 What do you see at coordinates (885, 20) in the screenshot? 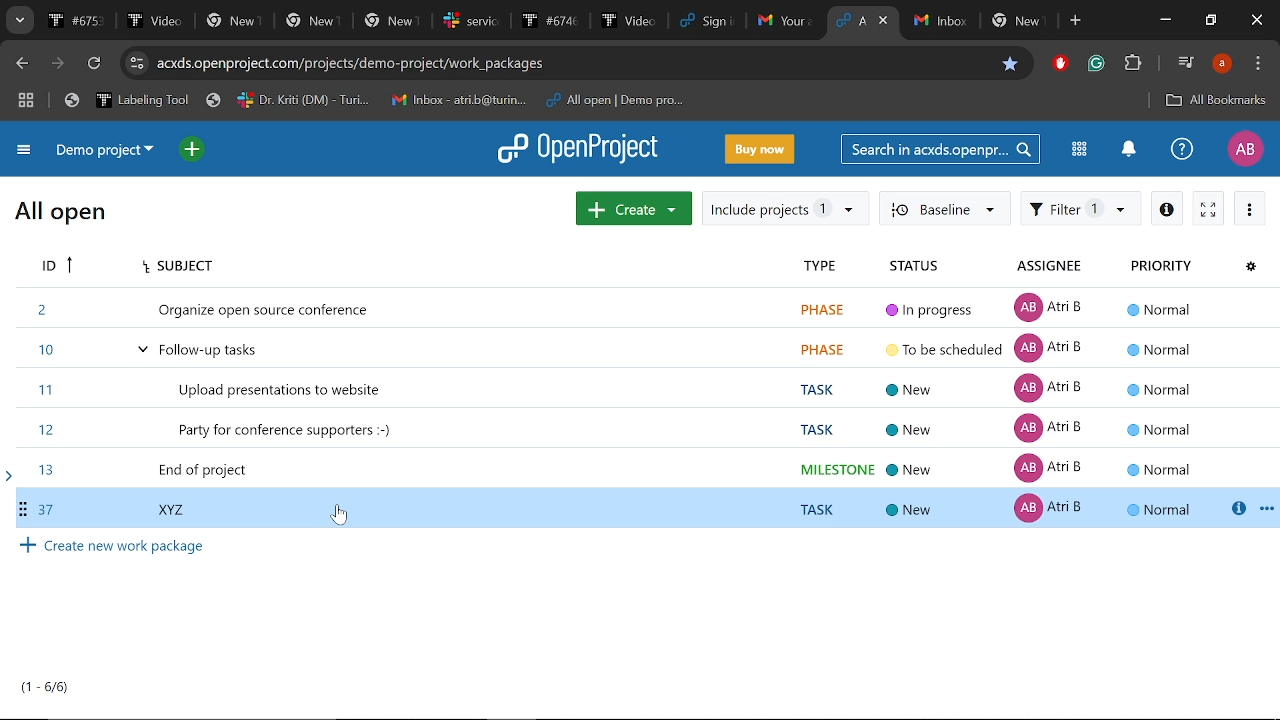
I see `Close current  tab` at bounding box center [885, 20].